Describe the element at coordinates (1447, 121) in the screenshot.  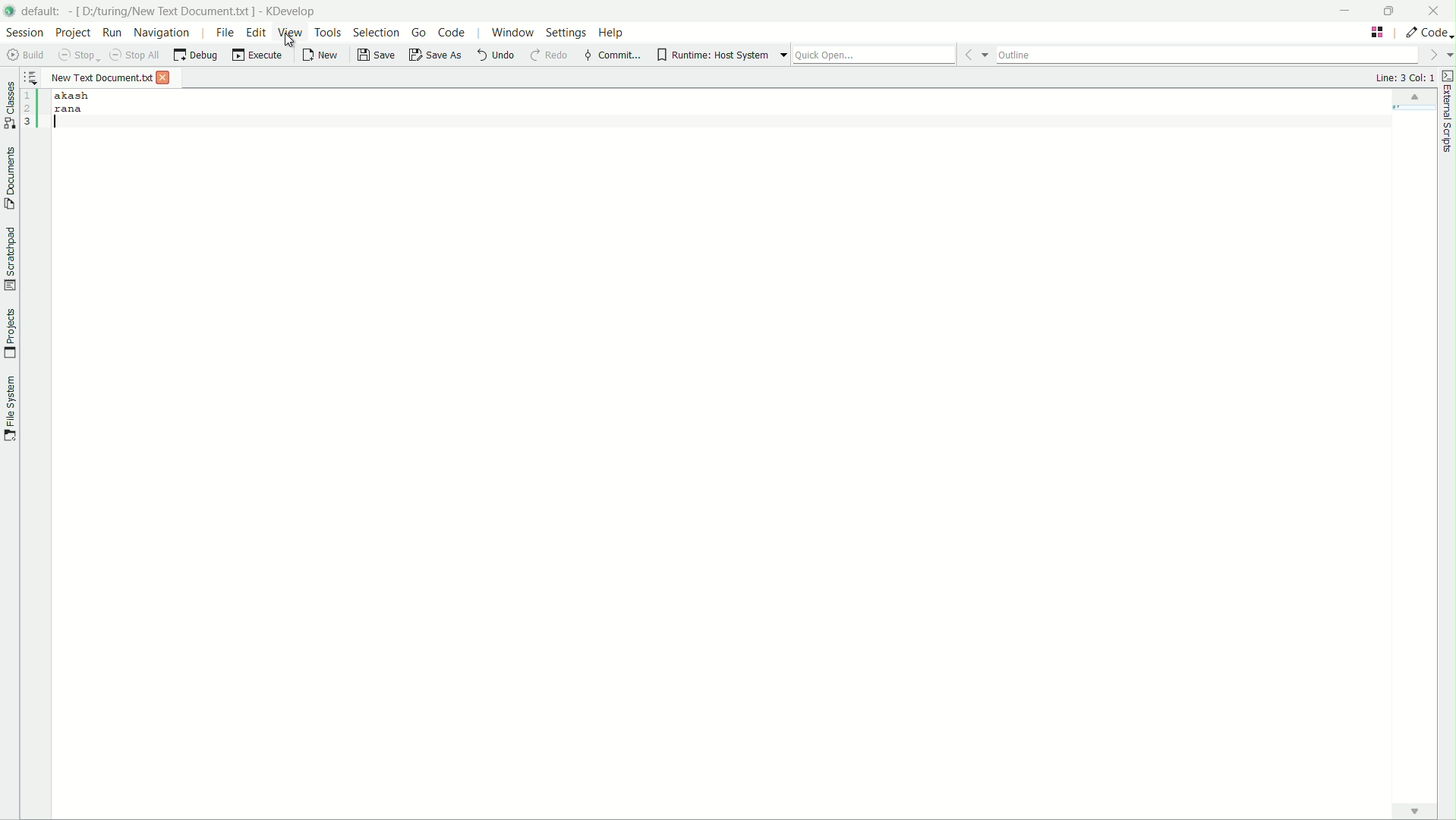
I see `external scripts` at that location.